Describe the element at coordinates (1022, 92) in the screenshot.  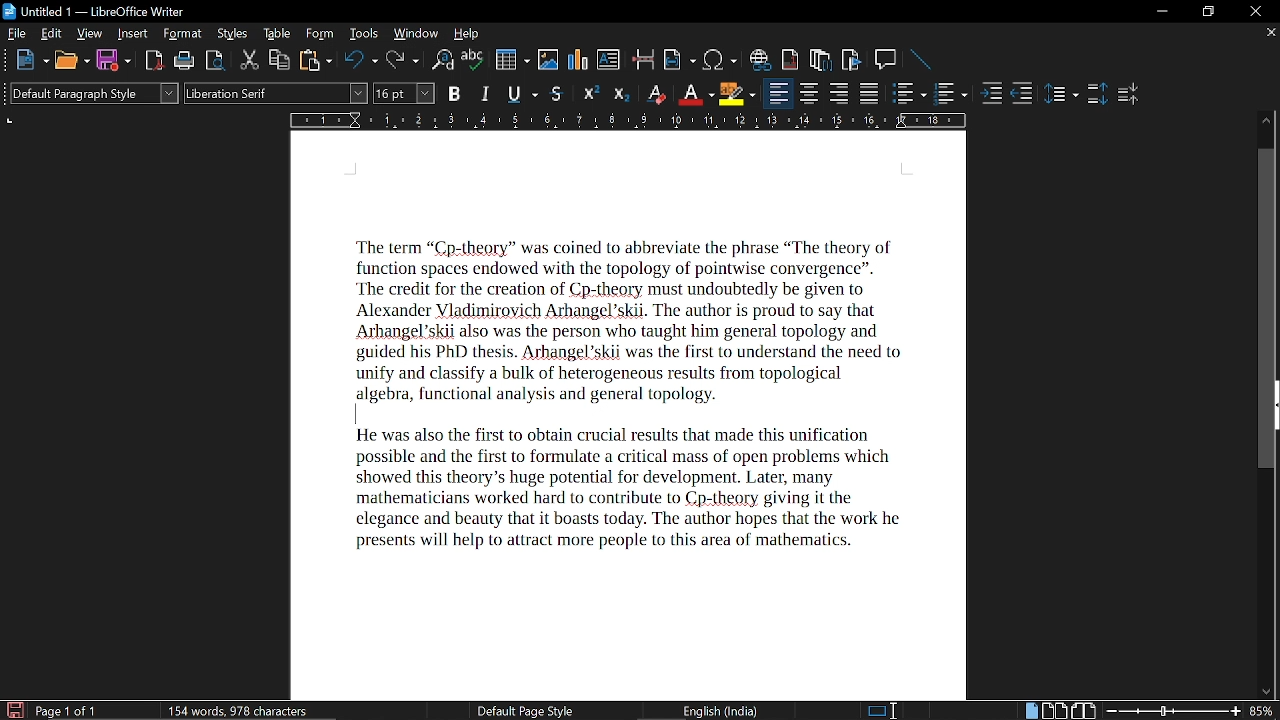
I see `Decrease indent` at that location.